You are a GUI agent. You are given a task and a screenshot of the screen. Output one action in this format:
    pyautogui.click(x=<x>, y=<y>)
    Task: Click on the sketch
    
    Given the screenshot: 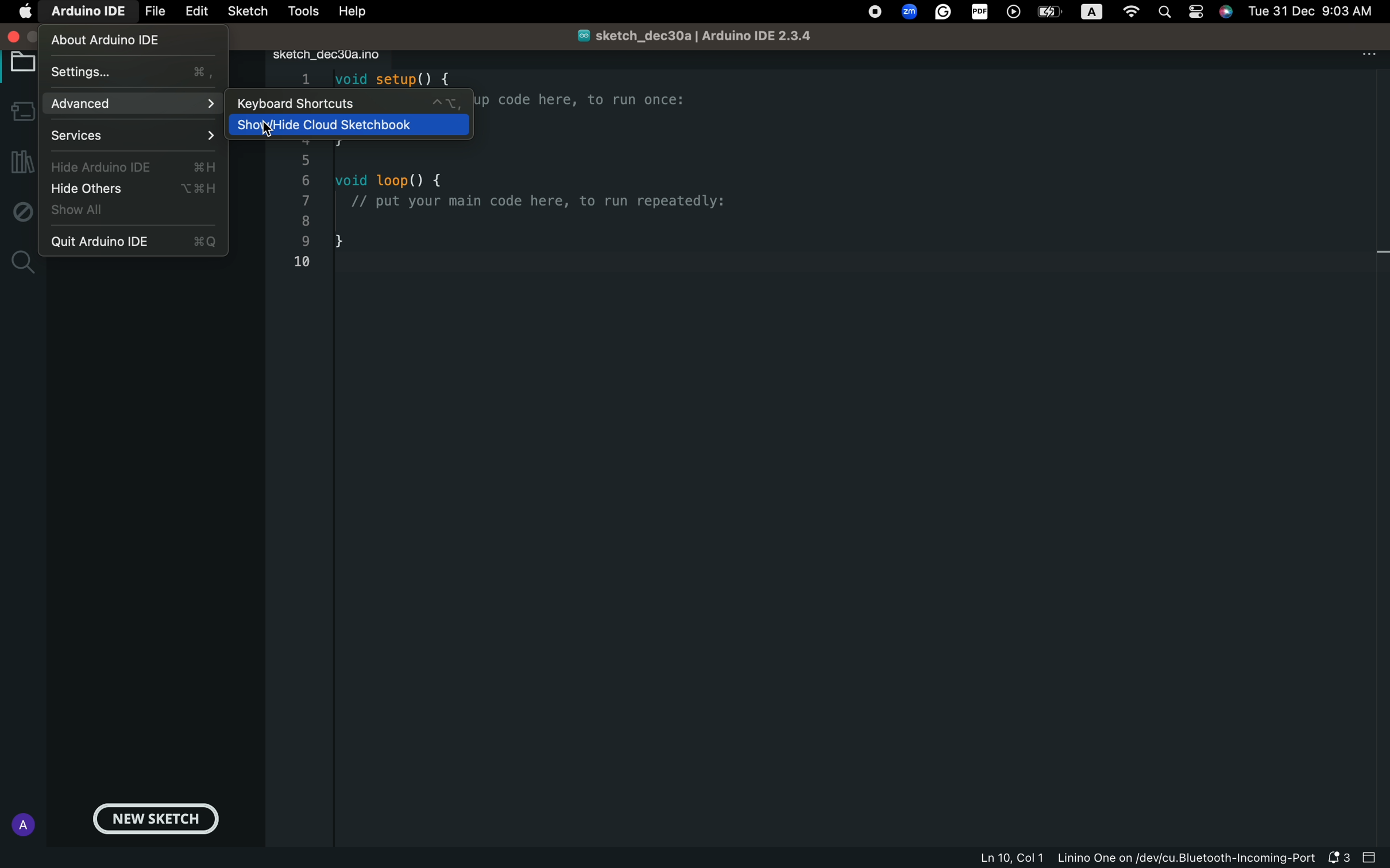 What is the action you would take?
    pyautogui.click(x=247, y=12)
    